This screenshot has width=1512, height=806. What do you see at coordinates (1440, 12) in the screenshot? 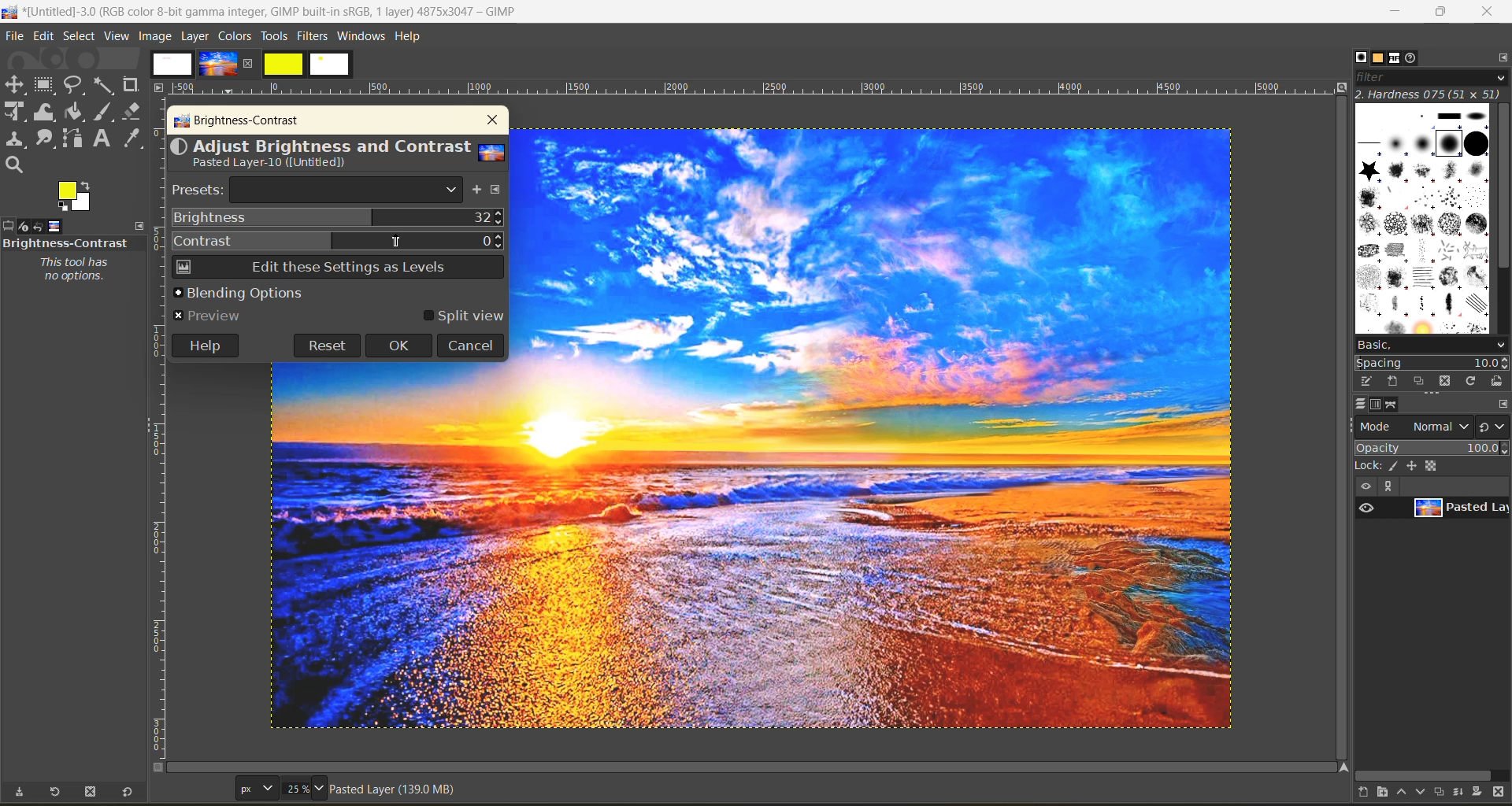
I see `maximize` at bounding box center [1440, 12].